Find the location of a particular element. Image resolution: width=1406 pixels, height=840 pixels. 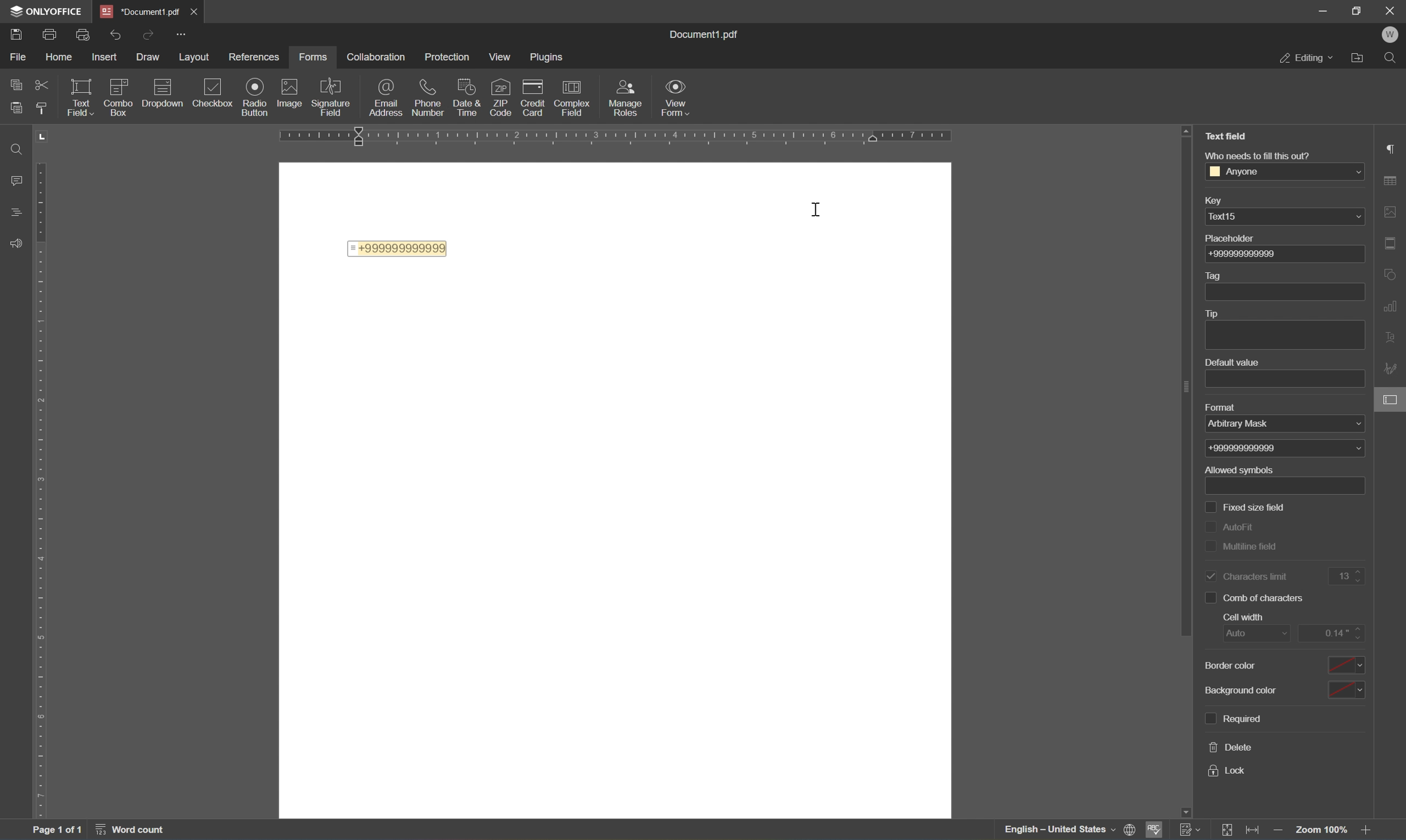

scroll down is located at coordinates (1373, 816).